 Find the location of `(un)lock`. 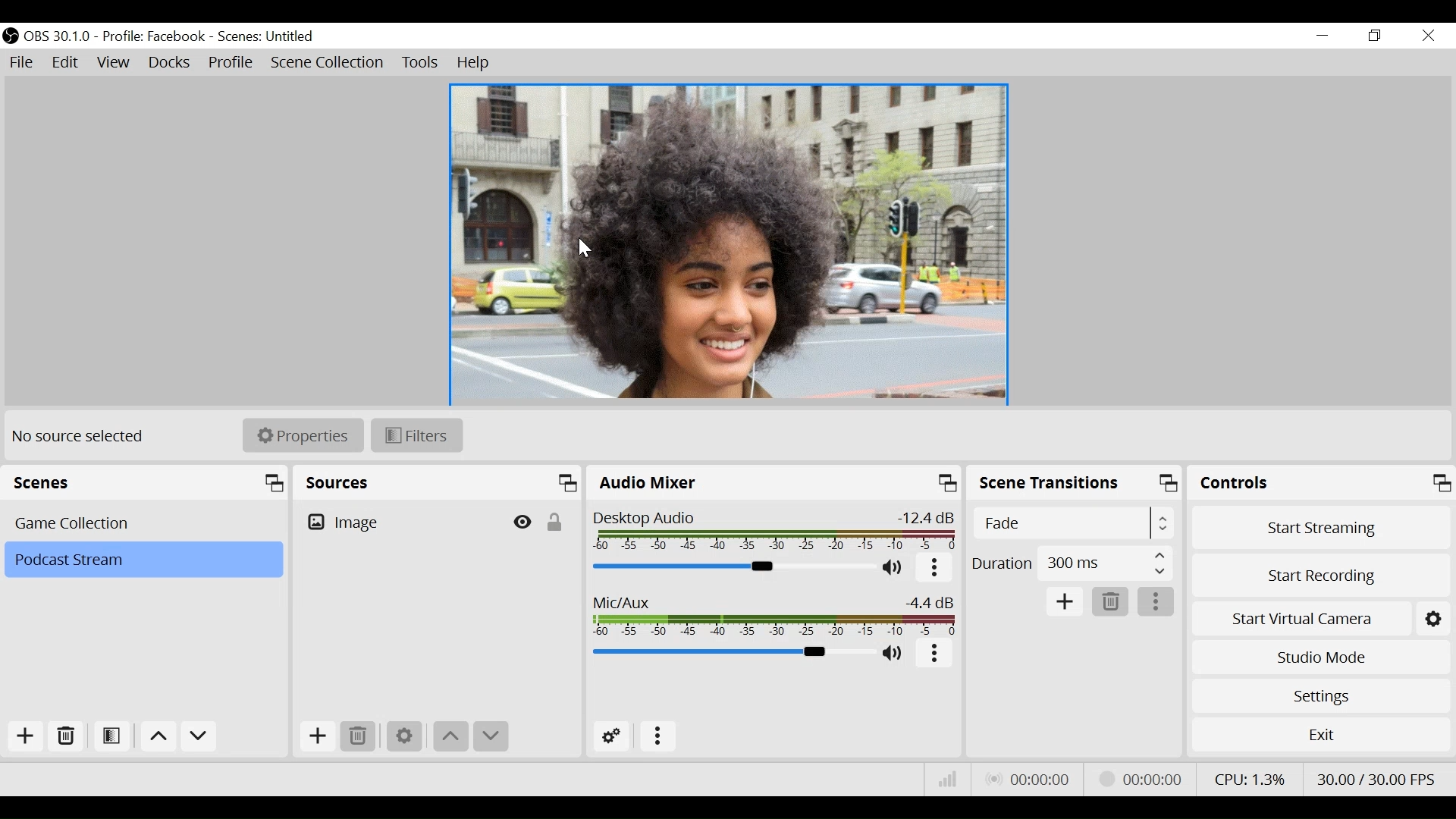

(un)lock is located at coordinates (553, 522).